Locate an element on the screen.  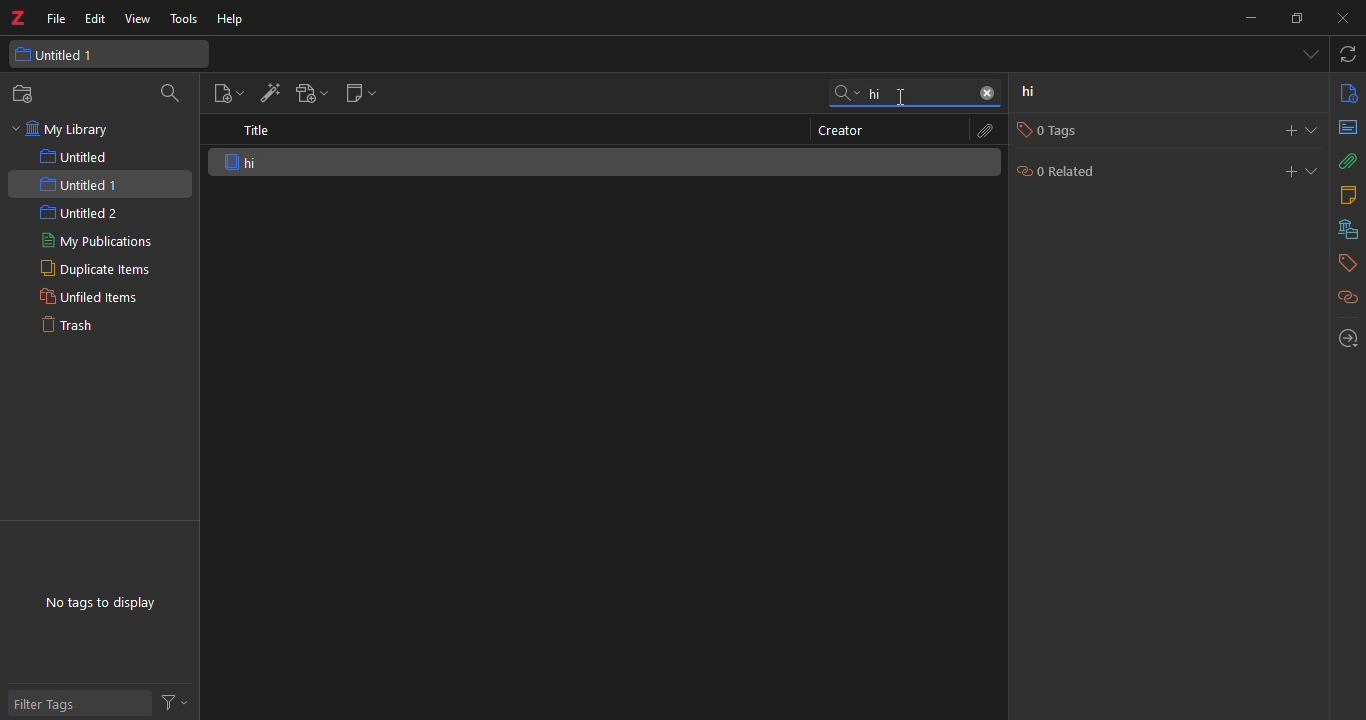
sync is located at coordinates (1345, 54).